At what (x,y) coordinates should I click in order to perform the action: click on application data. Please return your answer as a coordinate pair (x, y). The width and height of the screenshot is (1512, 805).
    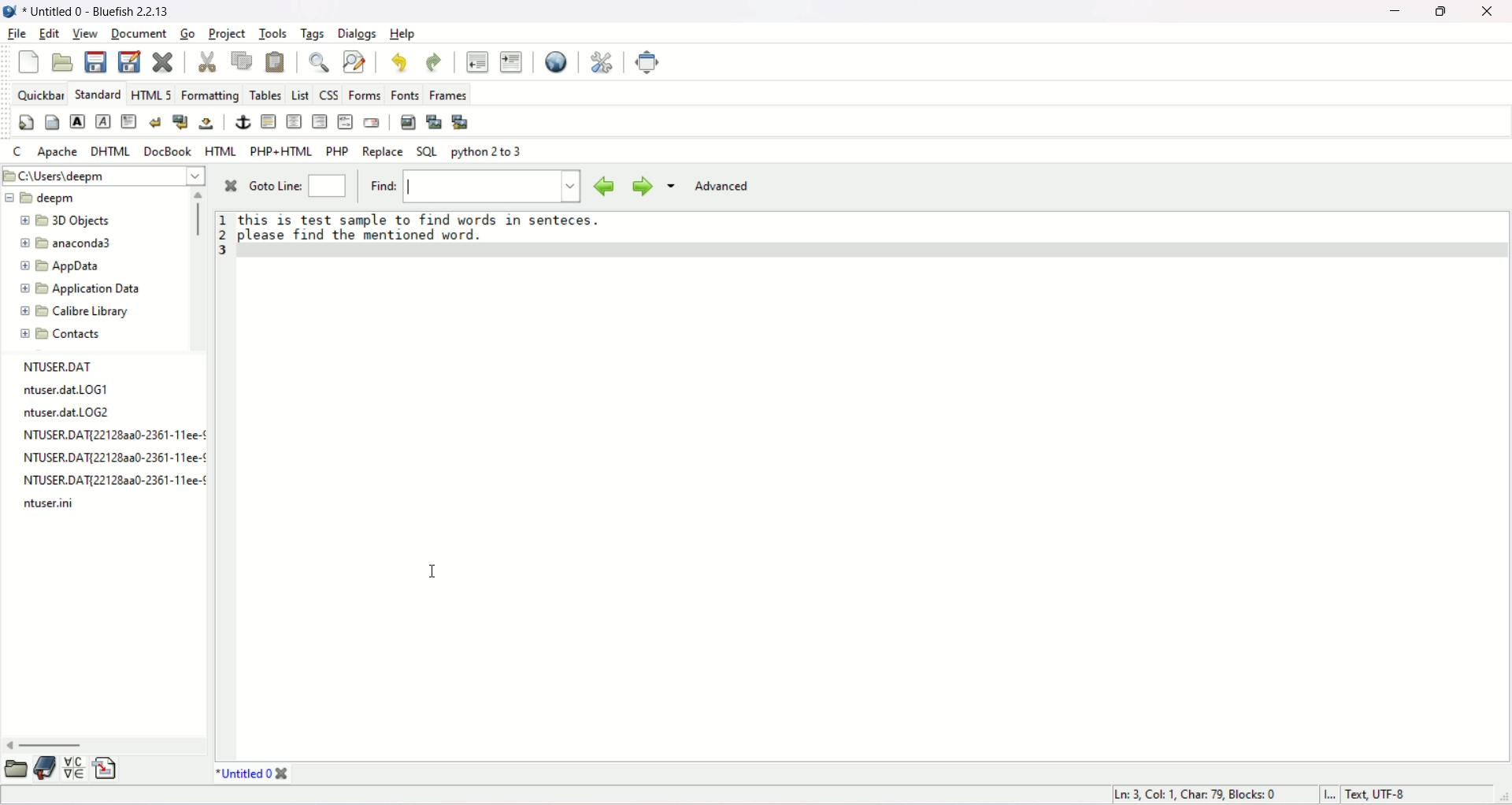
    Looking at the image, I should click on (84, 289).